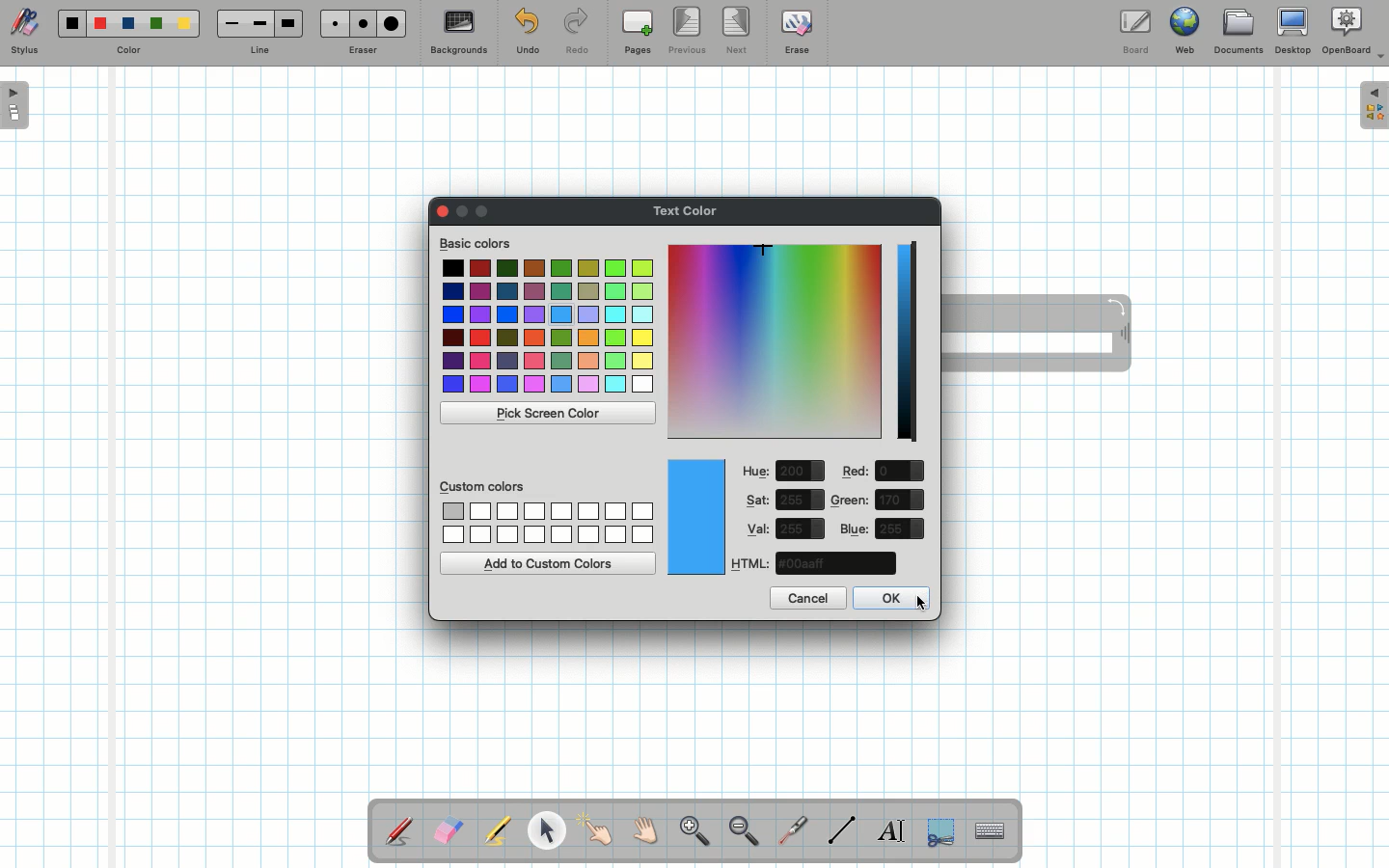 The image size is (1389, 868). Describe the element at coordinates (448, 832) in the screenshot. I see `Eraser` at that location.